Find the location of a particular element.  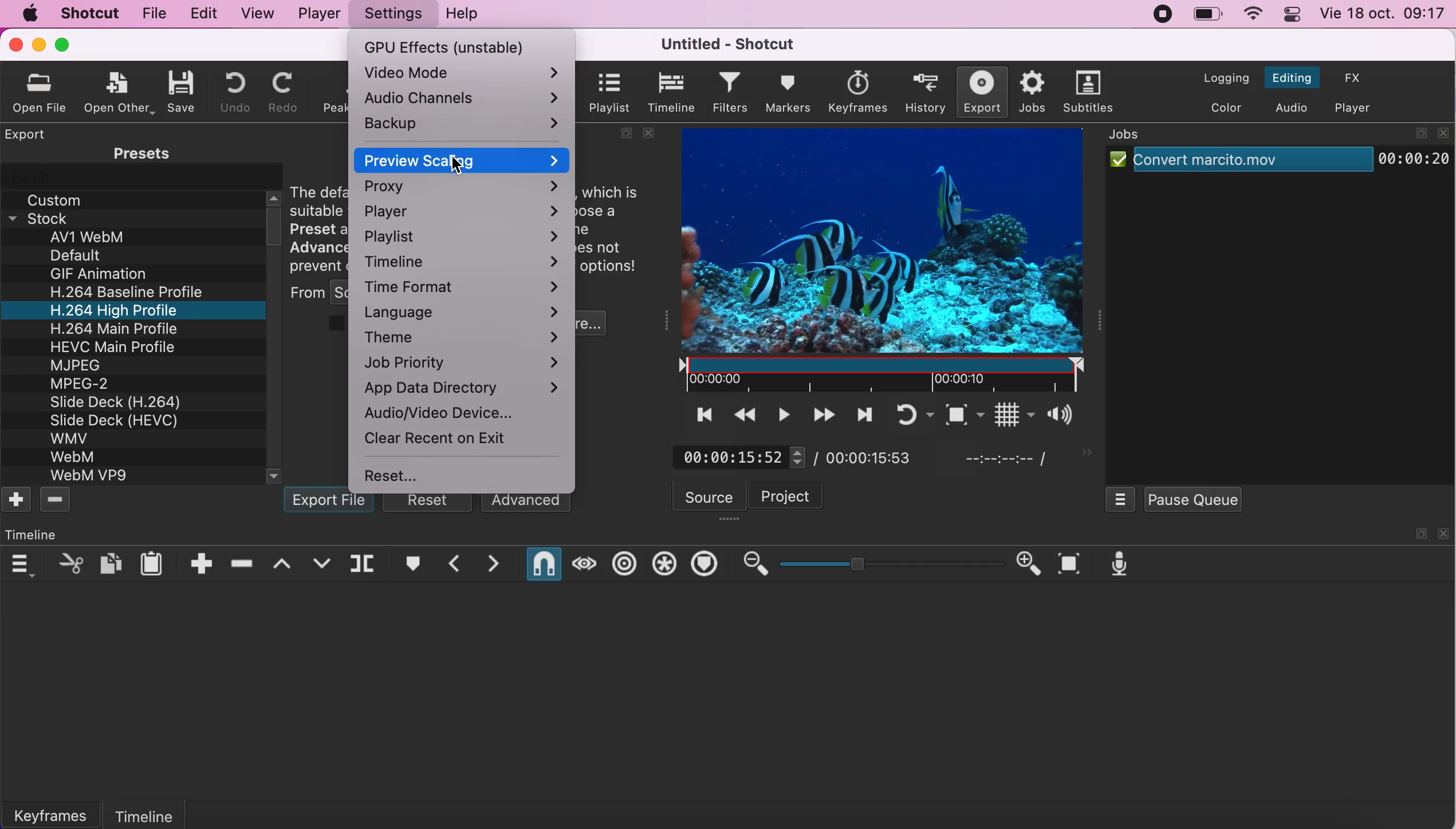

play quickly backwards is located at coordinates (743, 414).